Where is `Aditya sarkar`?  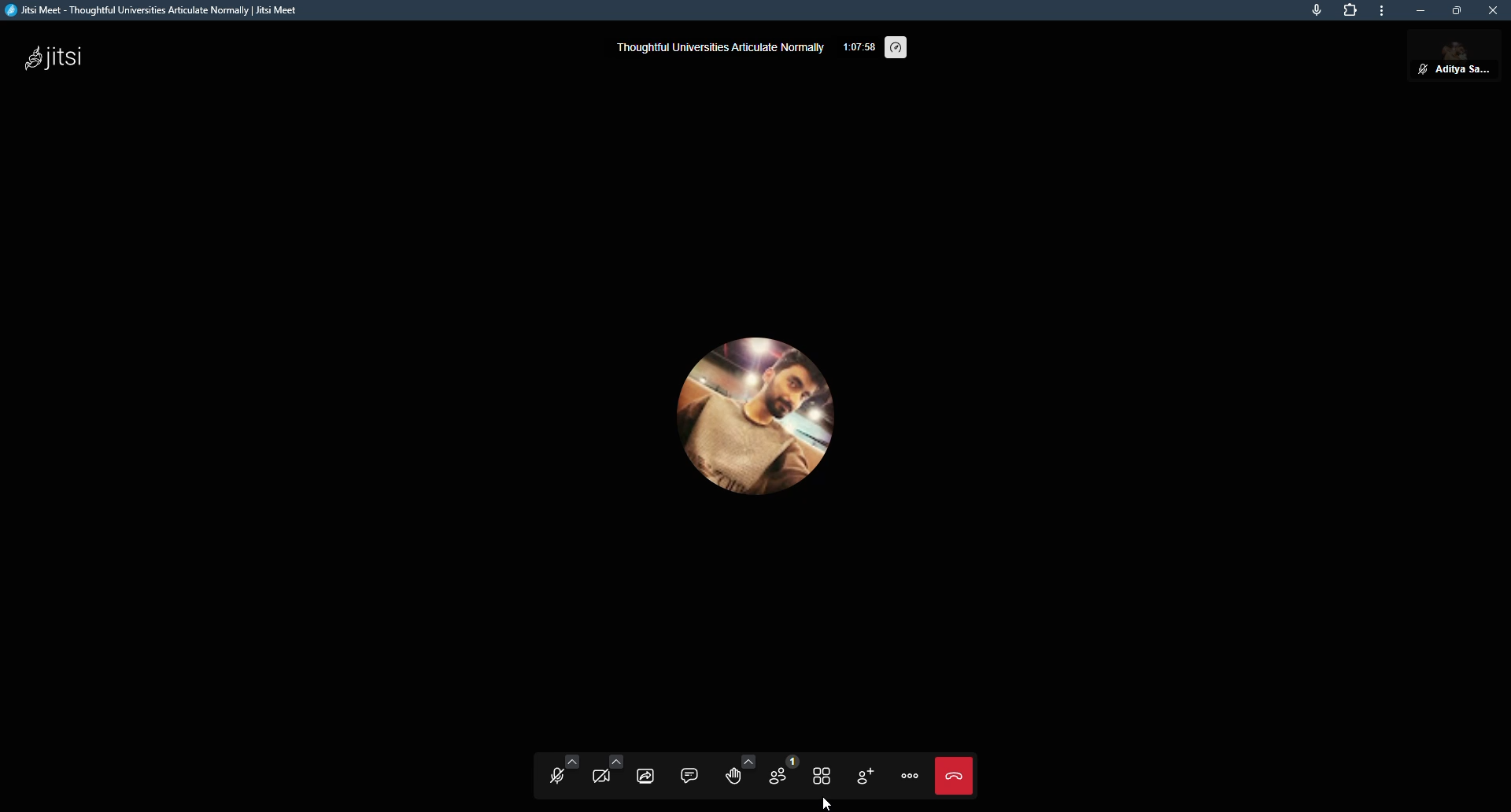
Aditya sarkar is located at coordinates (1455, 50).